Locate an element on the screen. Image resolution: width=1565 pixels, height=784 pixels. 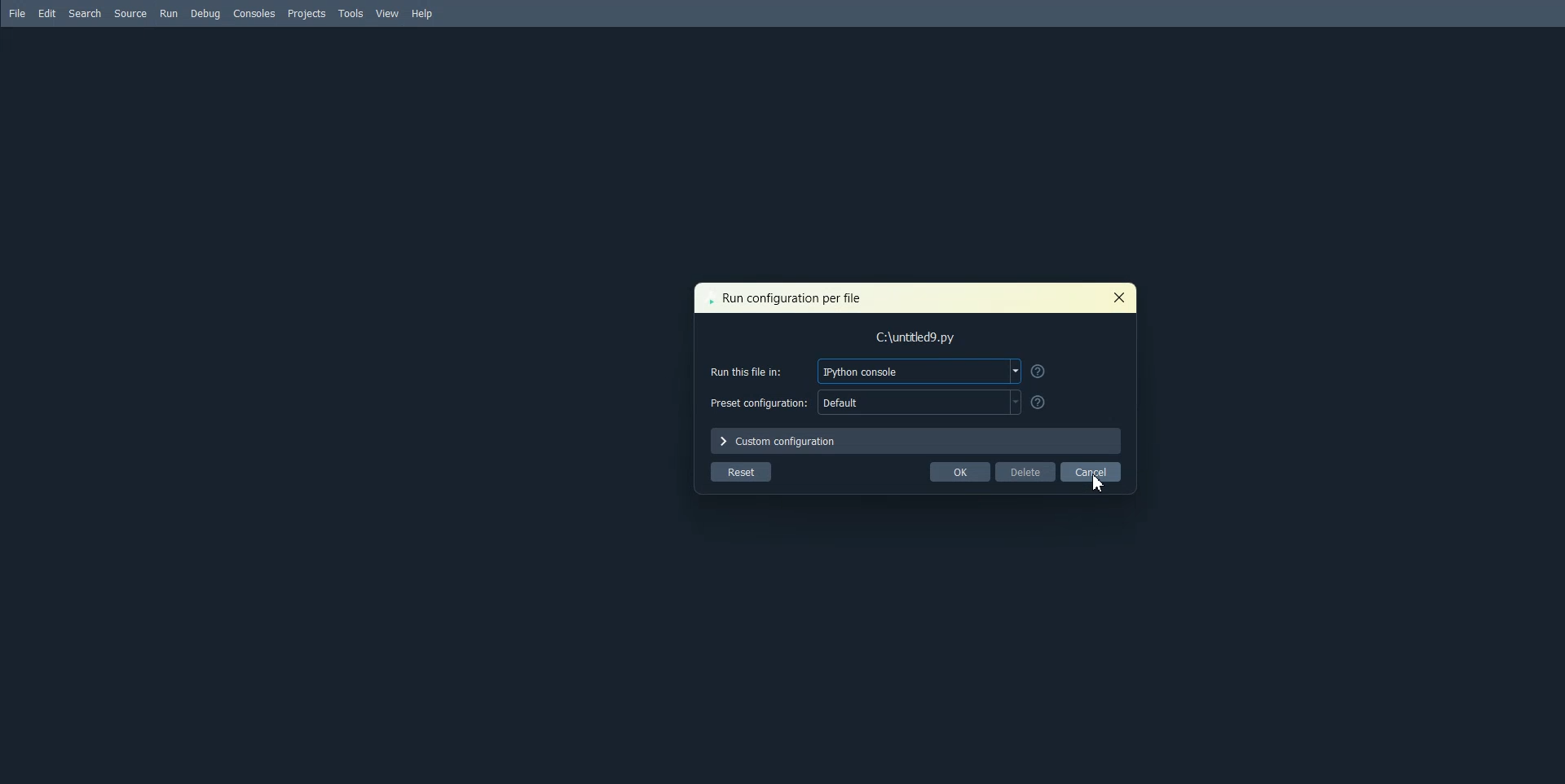
Select Custom configuration is located at coordinates (917, 441).